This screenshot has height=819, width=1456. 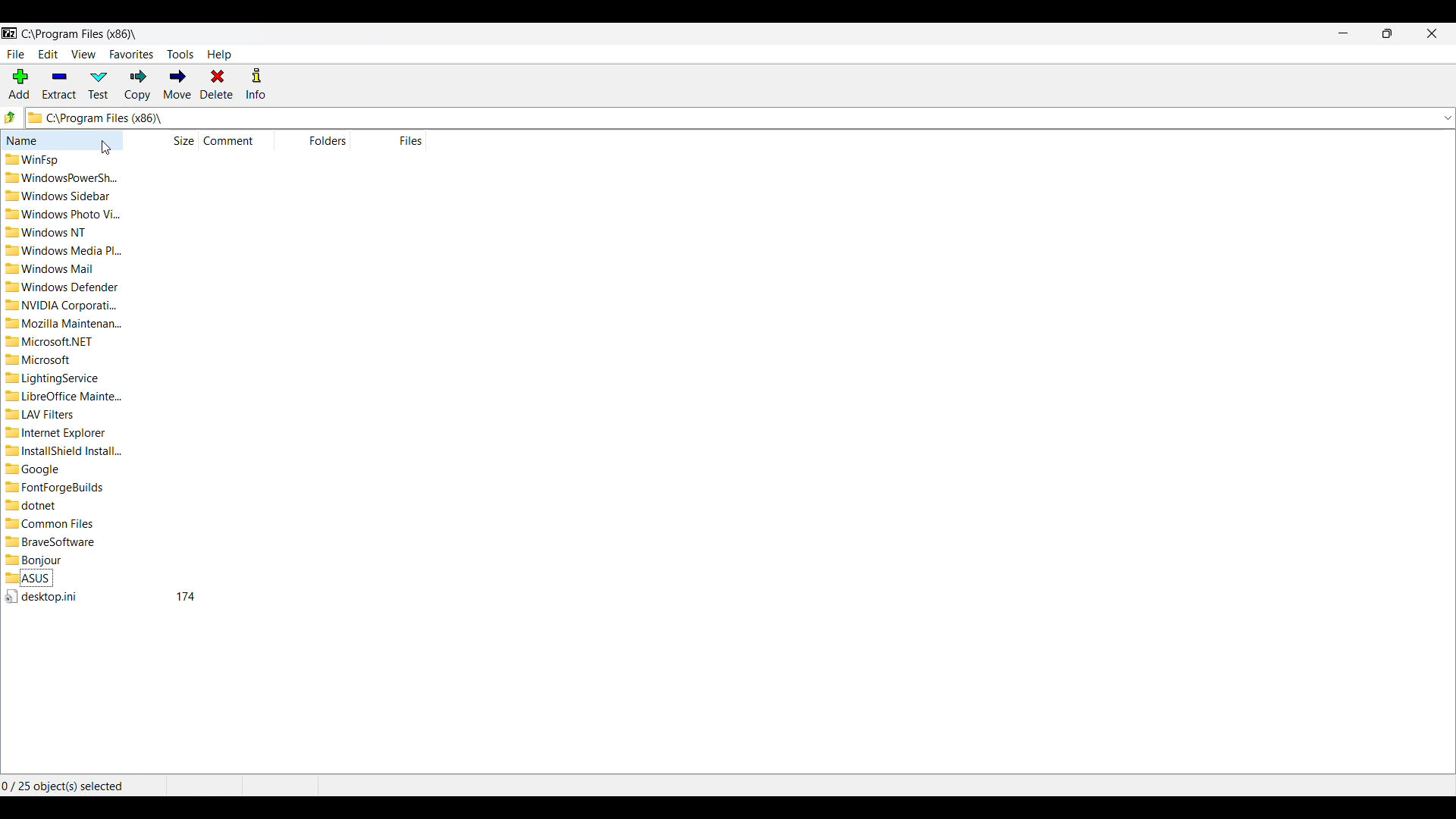 I want to click on Google, so click(x=46, y=468).